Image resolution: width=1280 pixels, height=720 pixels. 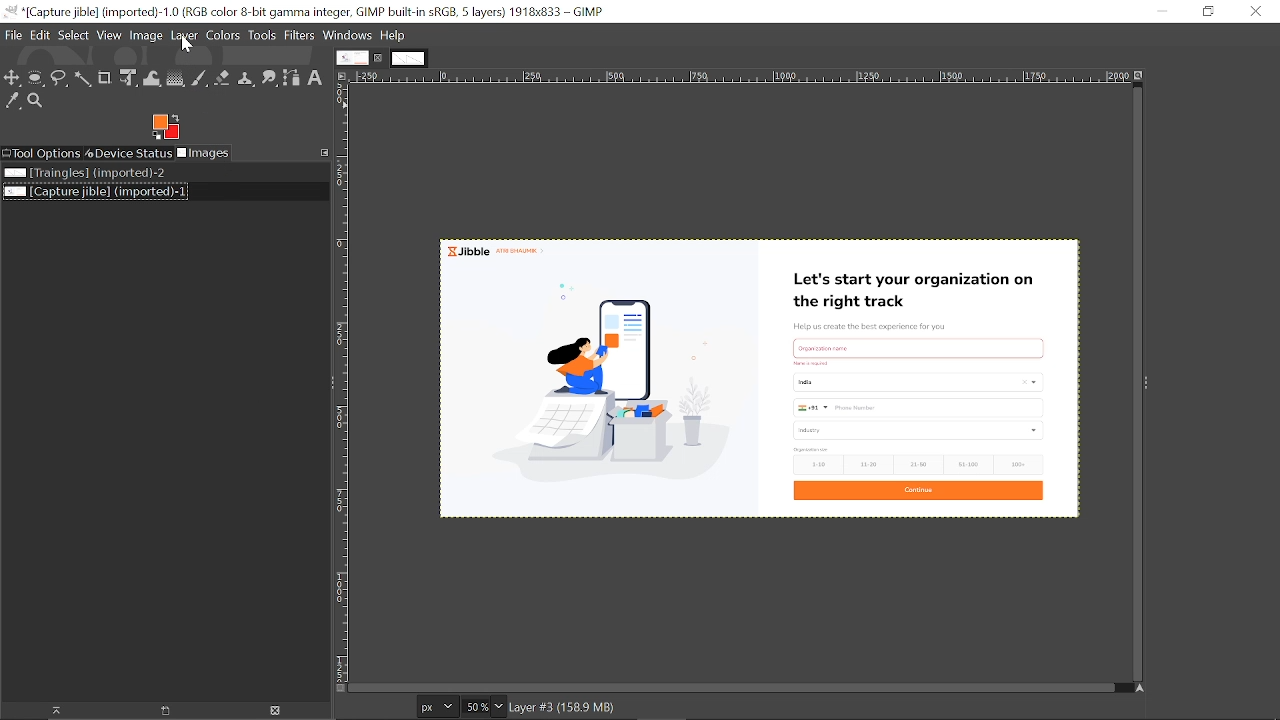 I want to click on Colors, so click(x=223, y=35).